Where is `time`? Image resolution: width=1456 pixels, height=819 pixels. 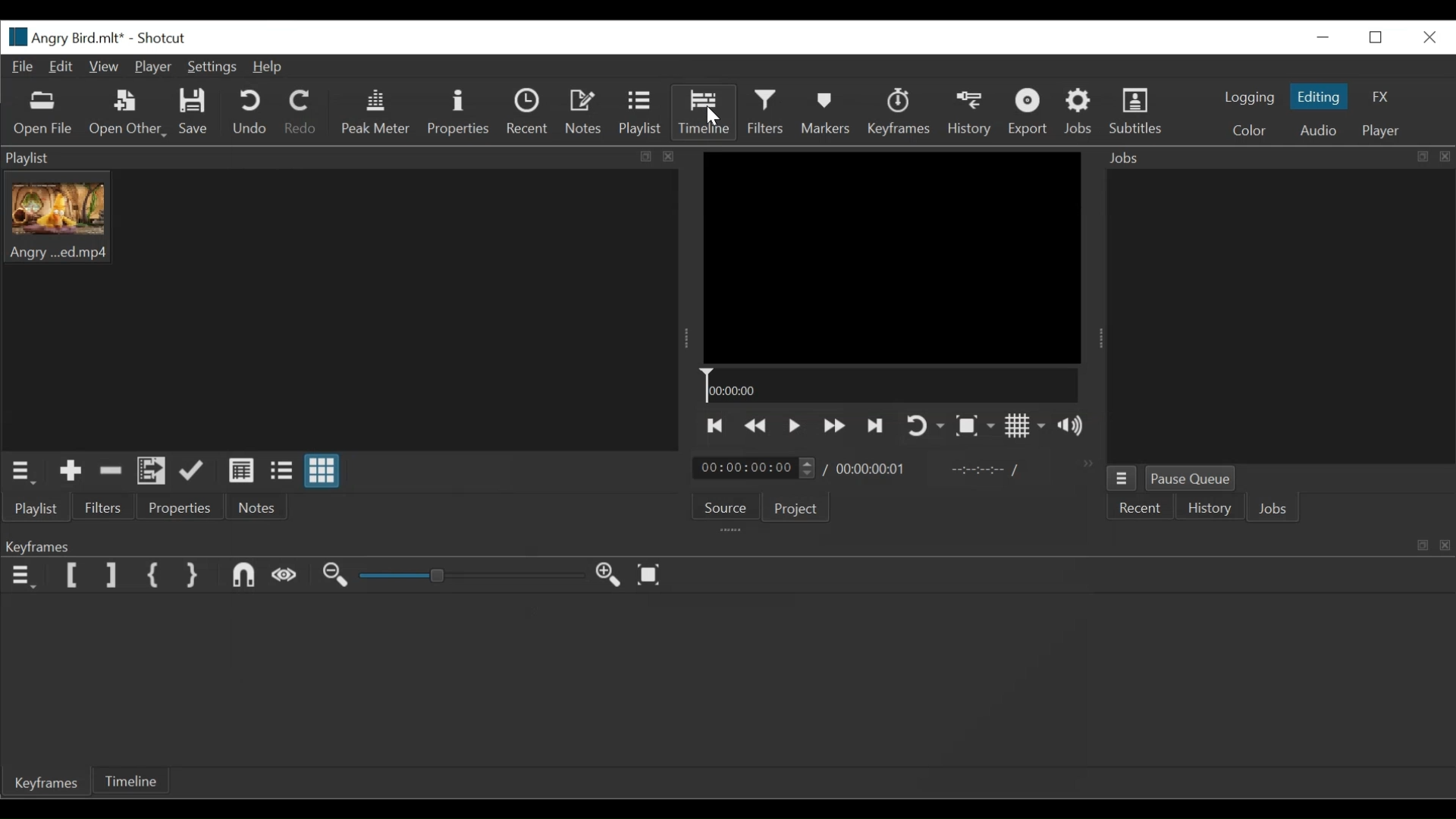
time is located at coordinates (748, 466).